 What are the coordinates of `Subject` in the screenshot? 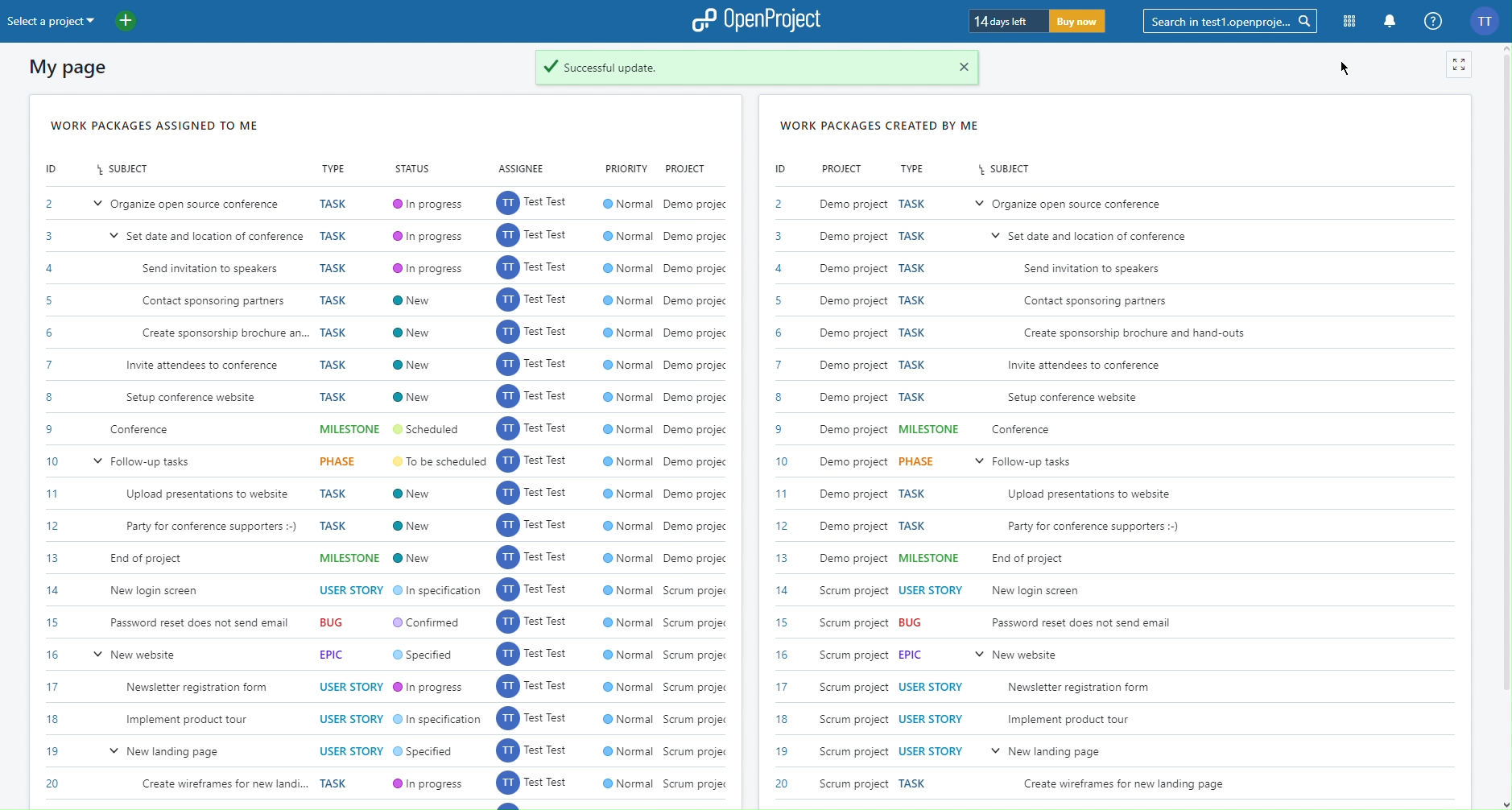 It's located at (122, 169).